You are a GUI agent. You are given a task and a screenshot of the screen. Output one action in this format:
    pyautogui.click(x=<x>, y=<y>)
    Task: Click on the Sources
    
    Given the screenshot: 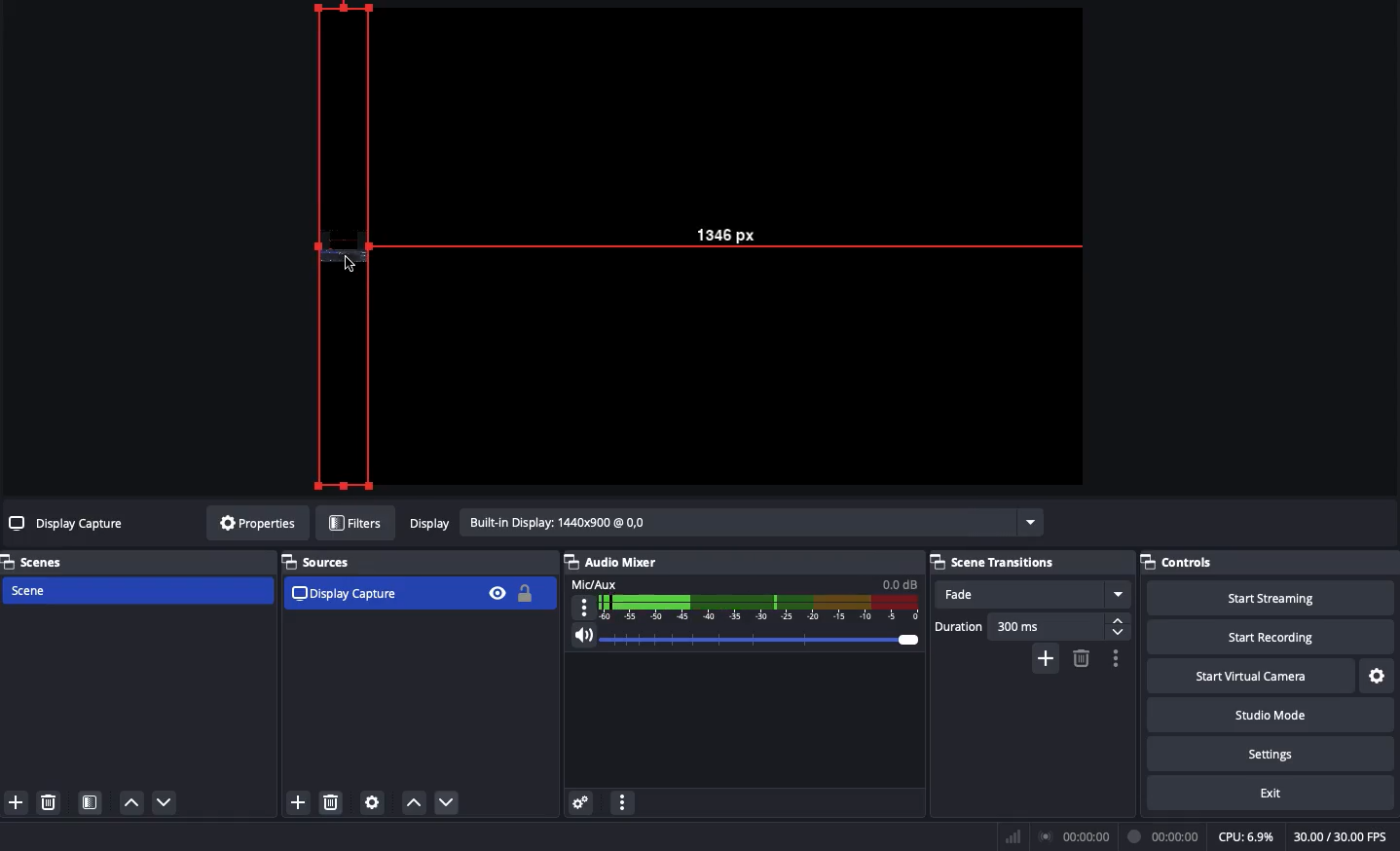 What is the action you would take?
    pyautogui.click(x=323, y=562)
    